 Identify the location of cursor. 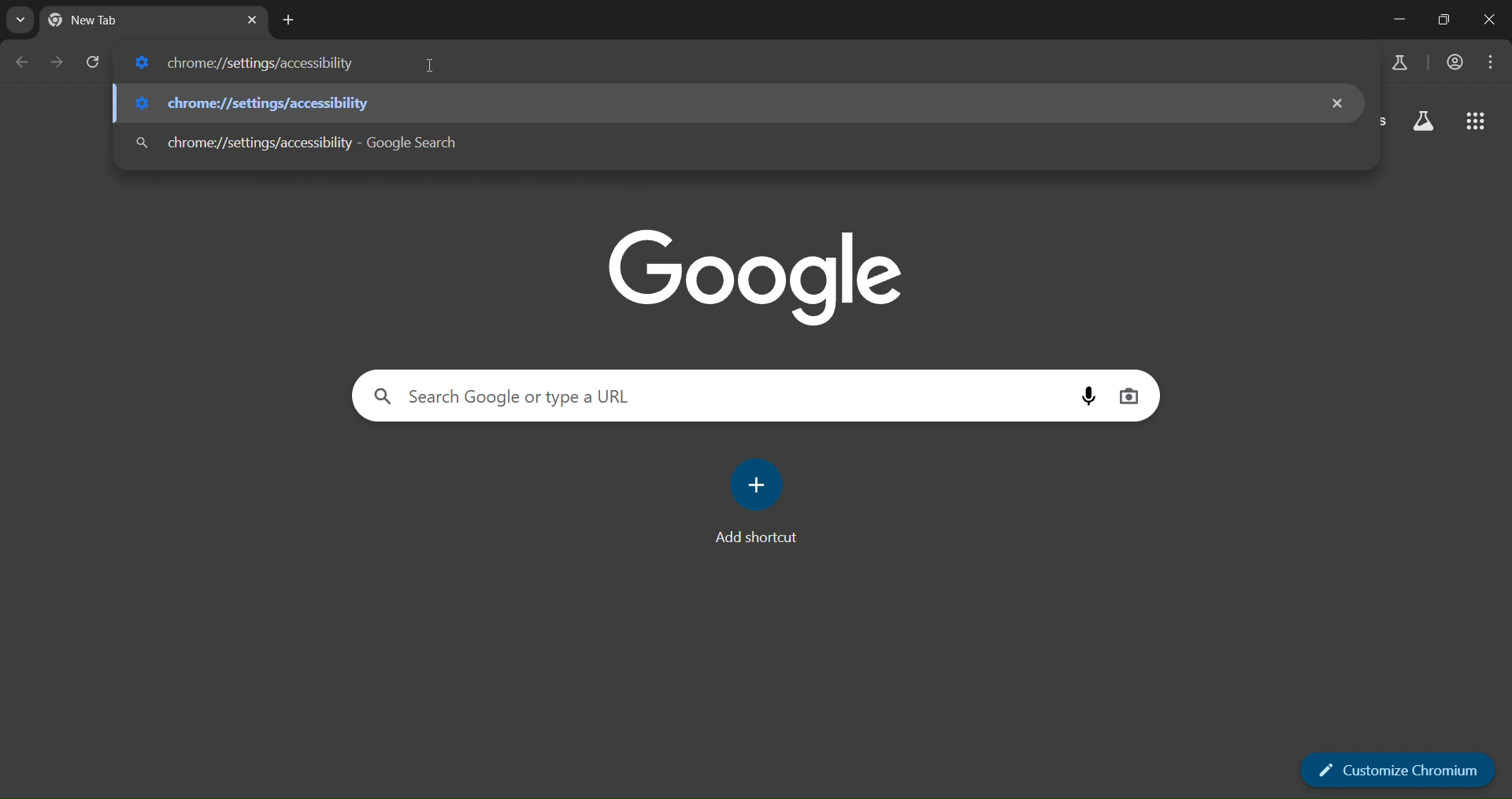
(433, 69).